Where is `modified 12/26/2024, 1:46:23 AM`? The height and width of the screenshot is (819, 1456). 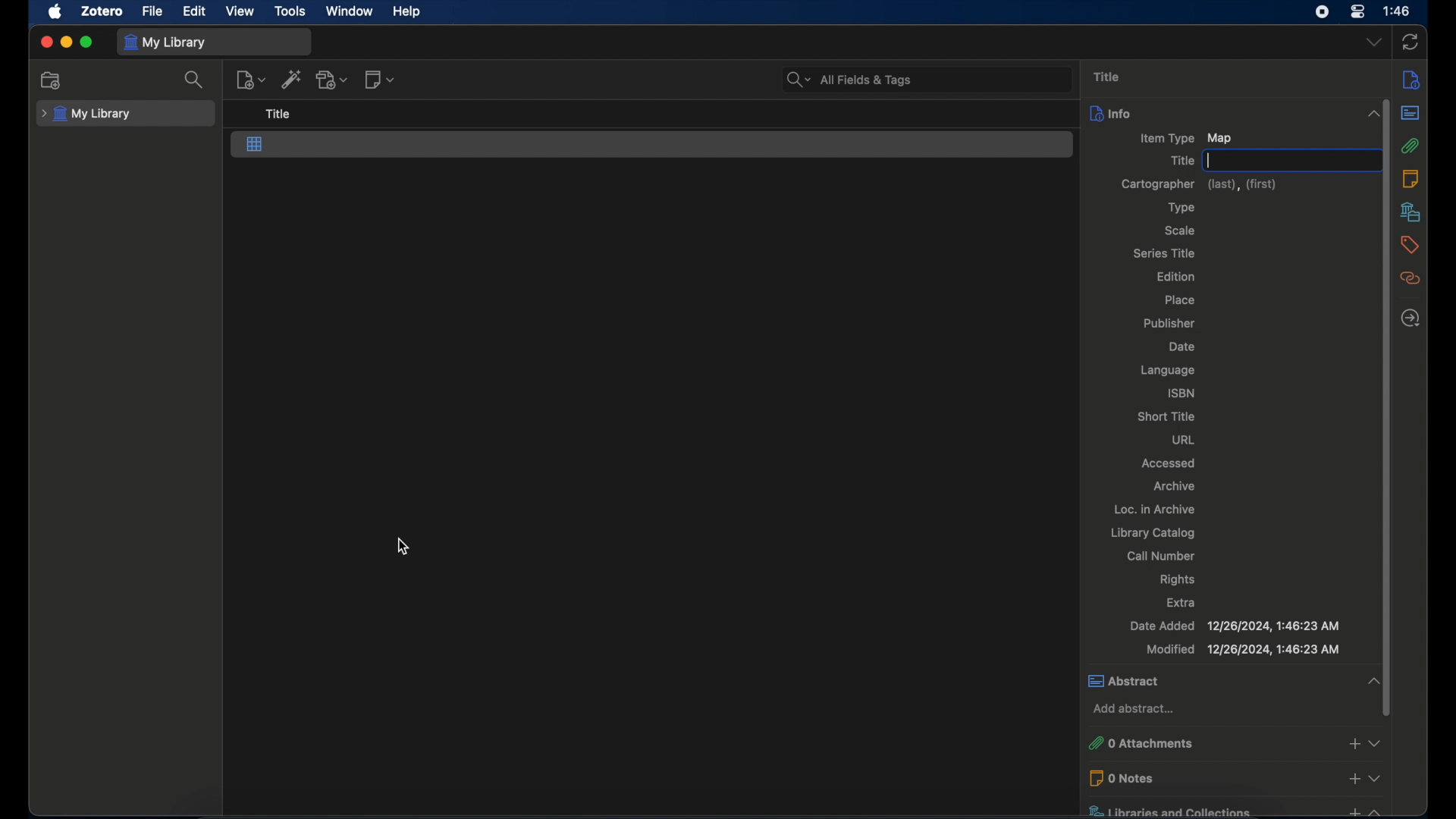
modified 12/26/2024, 1:46:23 AM is located at coordinates (1241, 649).